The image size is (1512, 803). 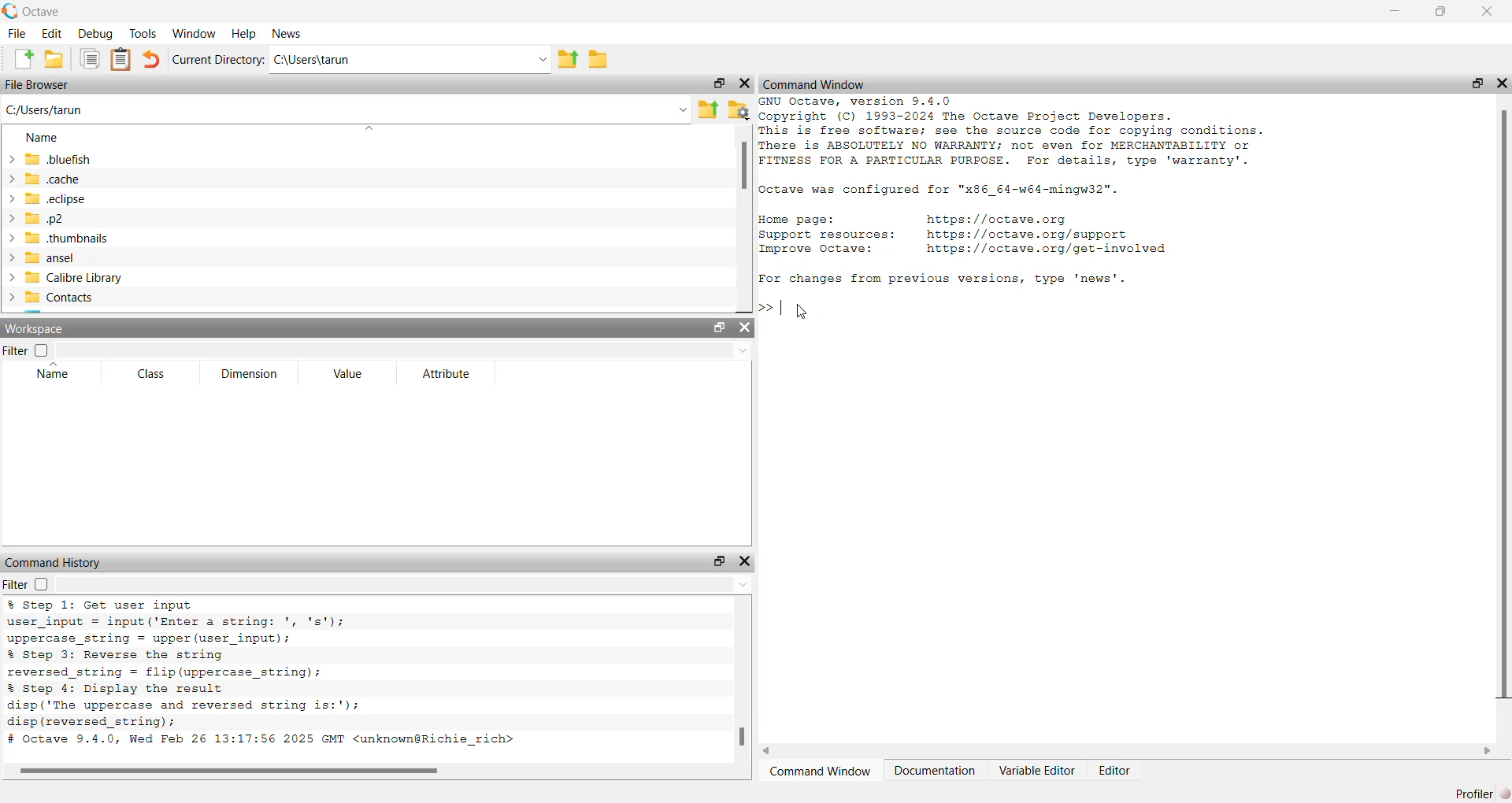 What do you see at coordinates (1114, 772) in the screenshot?
I see `editor` at bounding box center [1114, 772].